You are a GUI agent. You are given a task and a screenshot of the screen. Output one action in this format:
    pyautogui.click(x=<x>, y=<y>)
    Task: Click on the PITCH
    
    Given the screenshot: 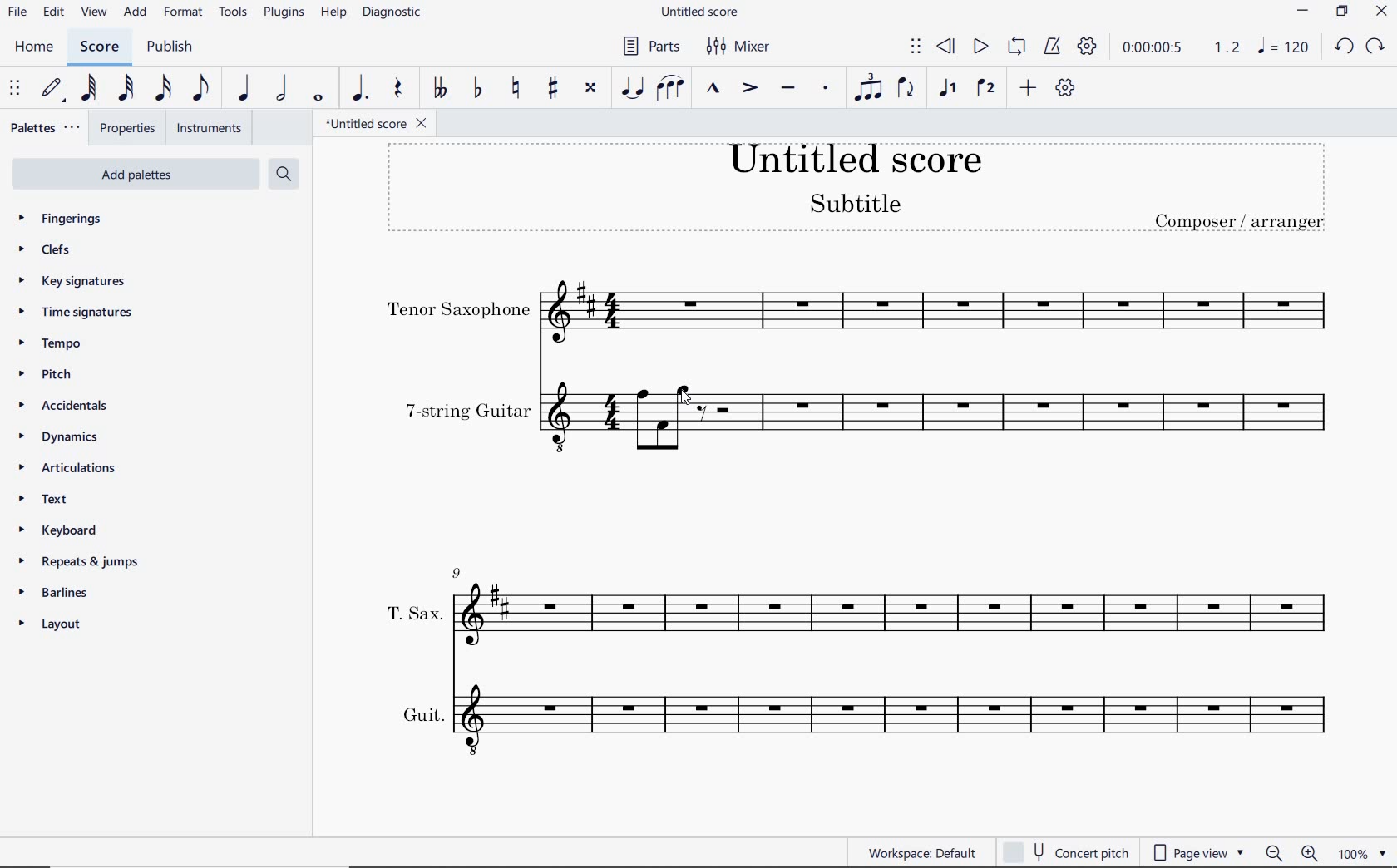 What is the action you would take?
    pyautogui.click(x=64, y=375)
    